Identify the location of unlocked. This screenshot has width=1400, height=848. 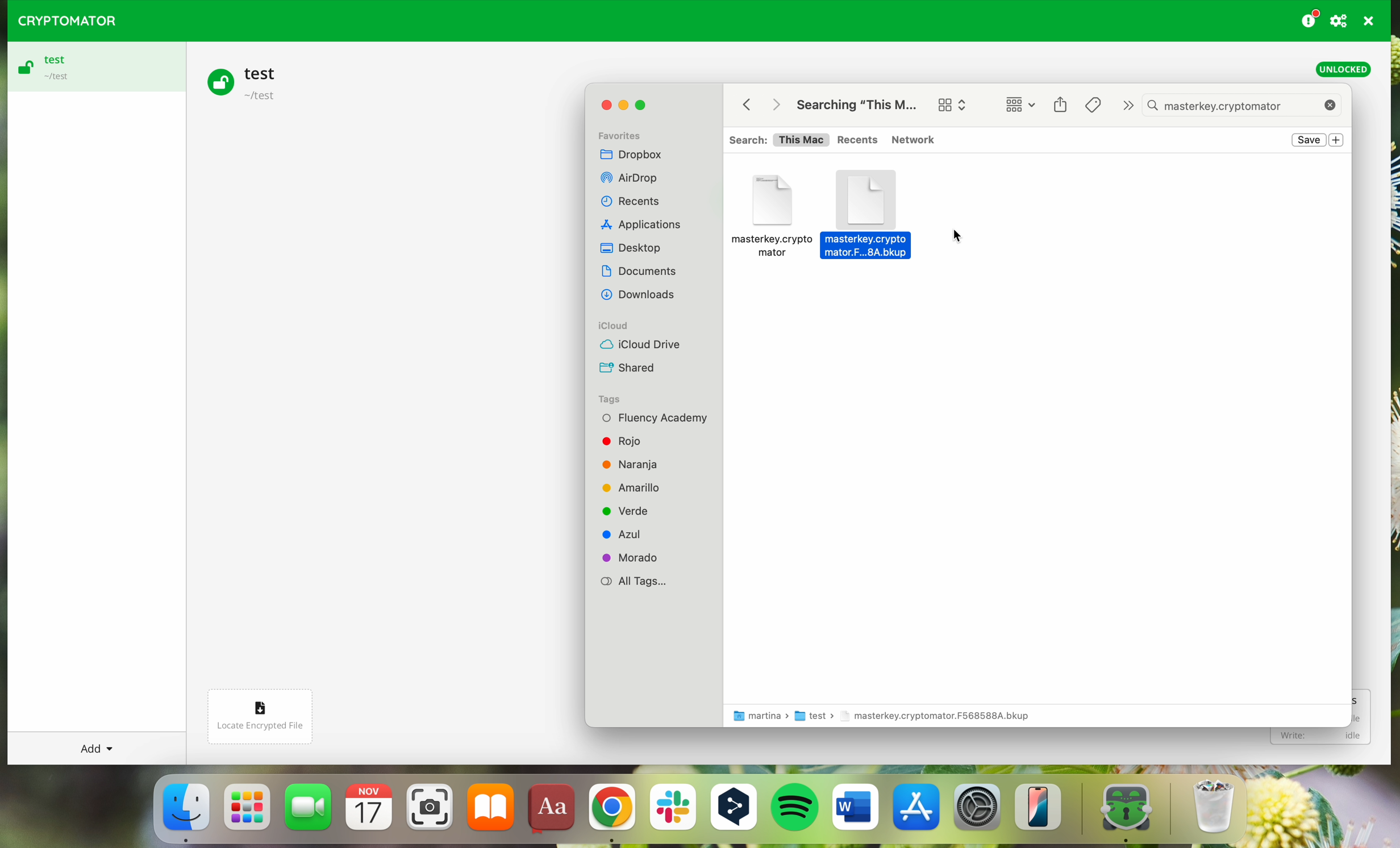
(1343, 70).